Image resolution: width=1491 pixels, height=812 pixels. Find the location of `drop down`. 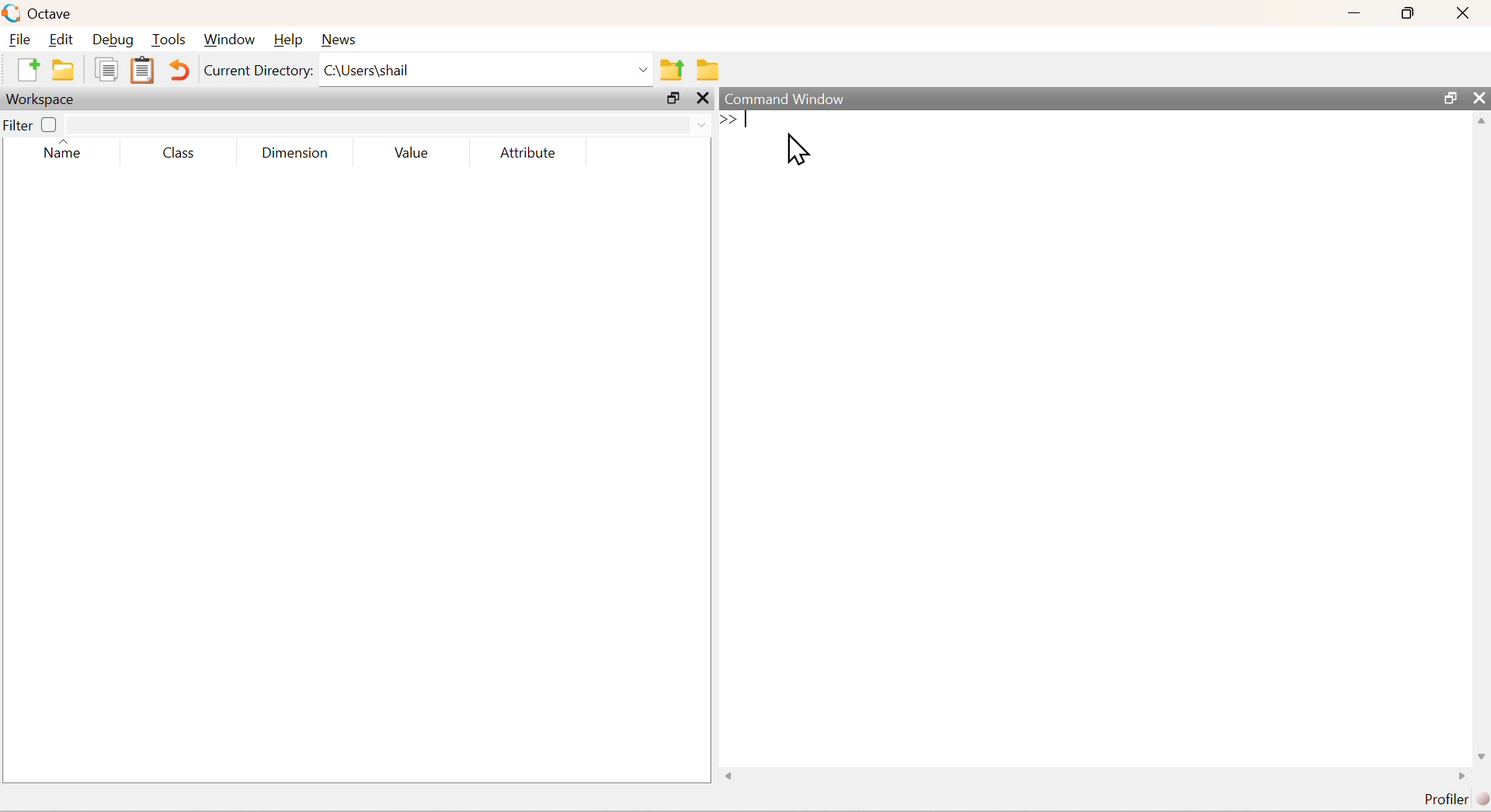

drop down is located at coordinates (389, 123).